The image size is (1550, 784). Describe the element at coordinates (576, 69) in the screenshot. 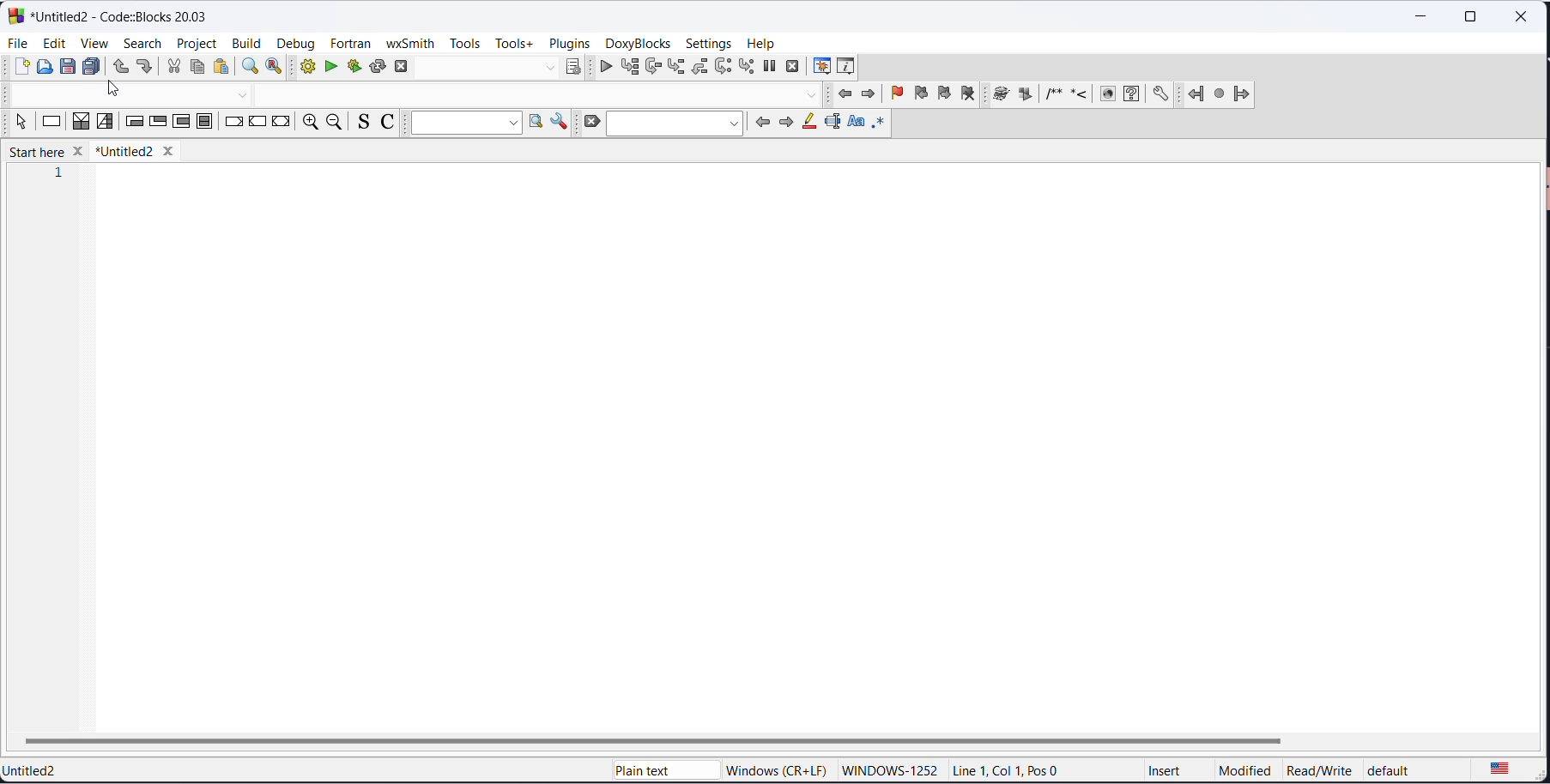

I see `target dialog` at that location.